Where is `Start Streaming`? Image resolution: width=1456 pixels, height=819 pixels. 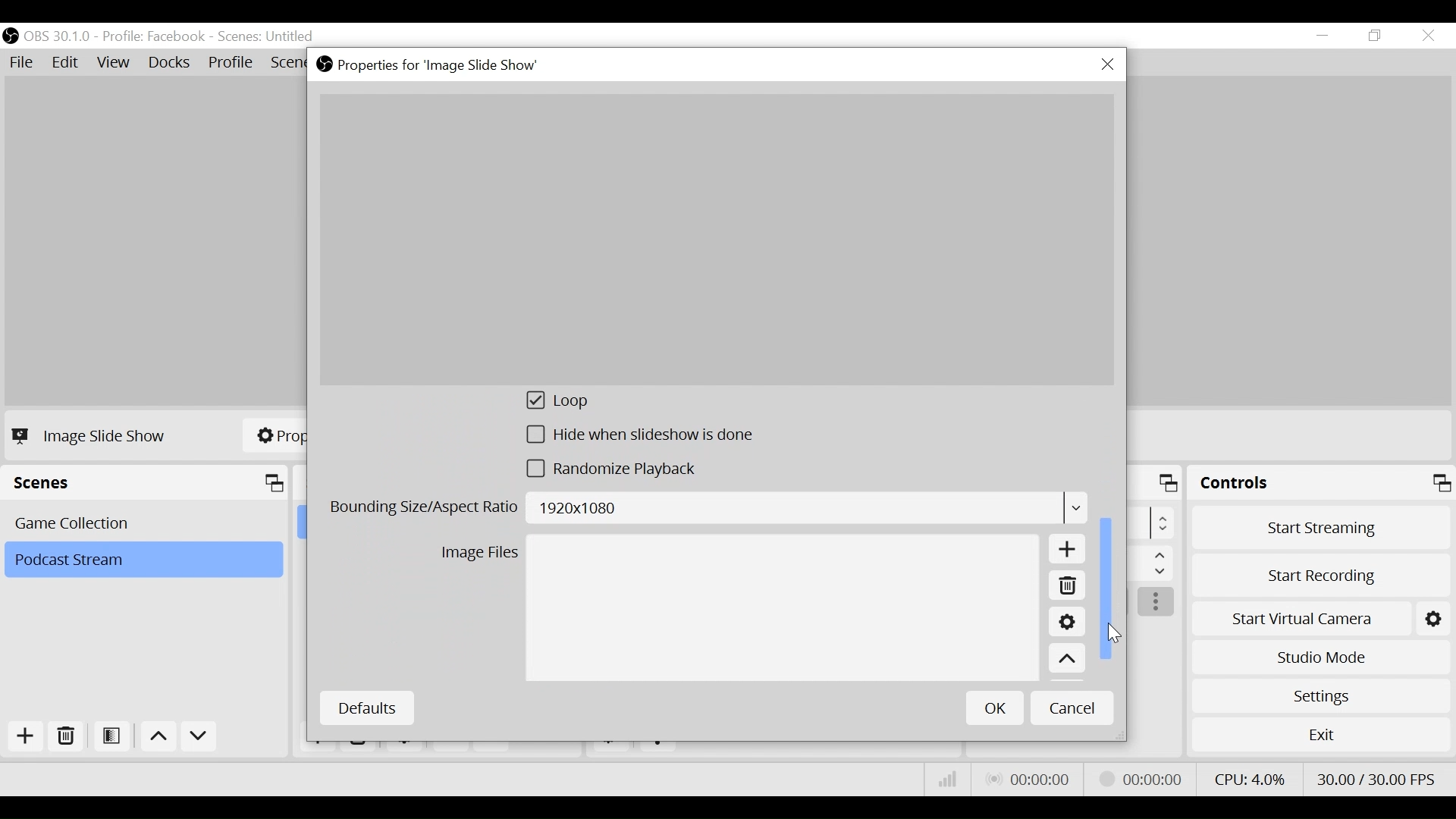 Start Streaming is located at coordinates (1322, 527).